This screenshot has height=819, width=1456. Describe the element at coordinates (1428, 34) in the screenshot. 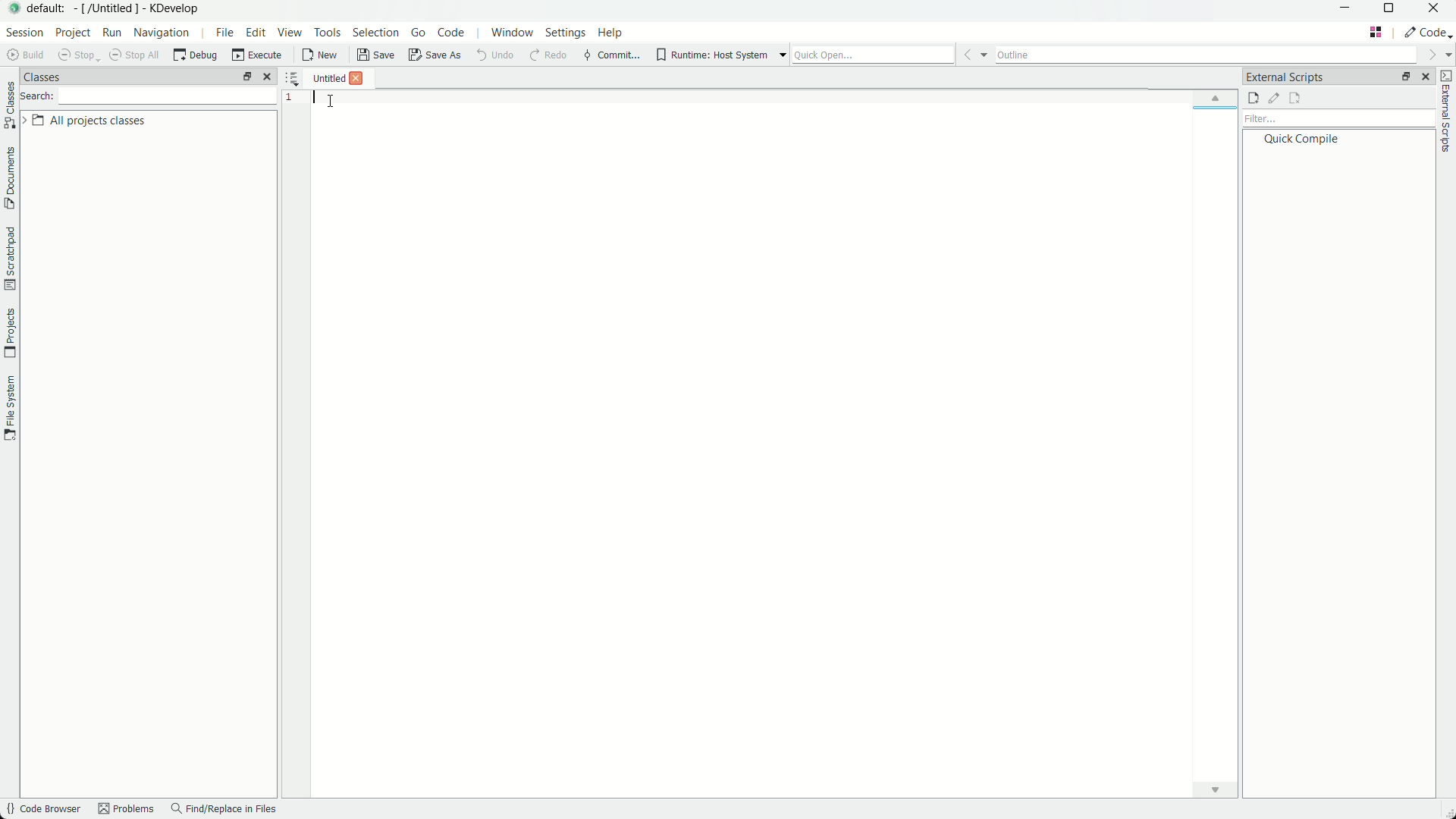

I see `execute actions to change the area` at that location.